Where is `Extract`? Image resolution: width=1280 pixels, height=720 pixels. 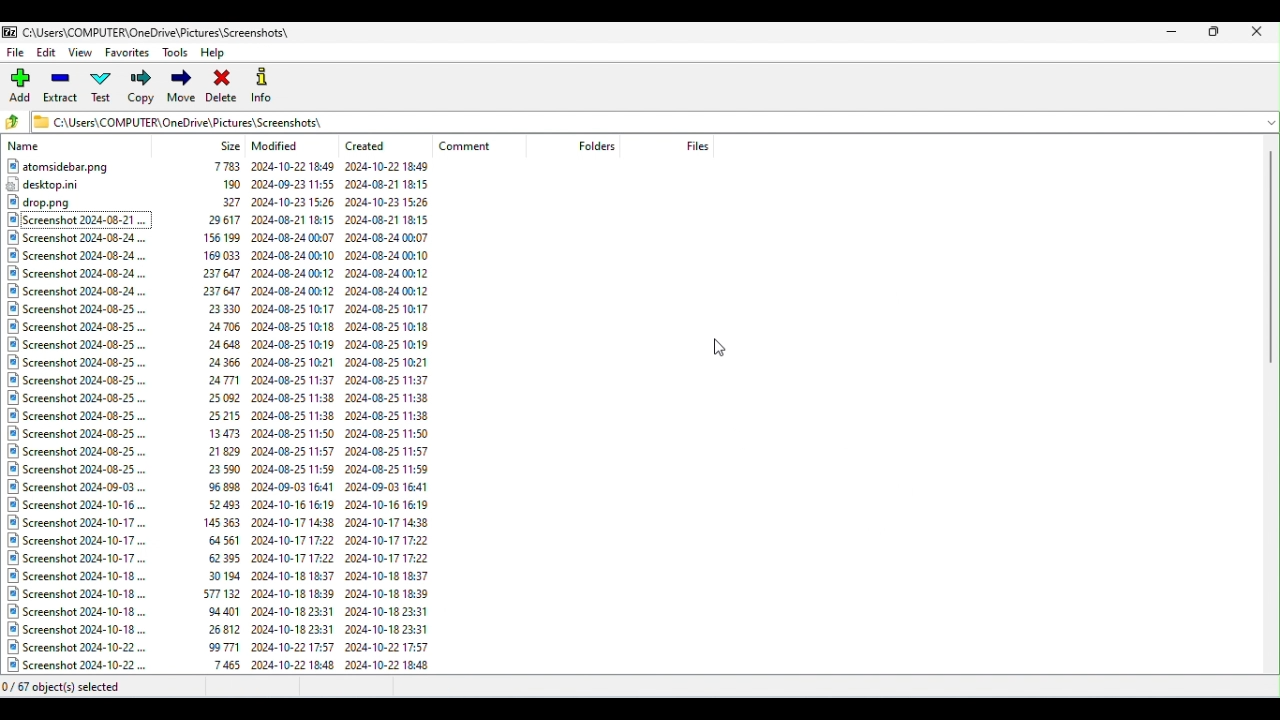
Extract is located at coordinates (62, 89).